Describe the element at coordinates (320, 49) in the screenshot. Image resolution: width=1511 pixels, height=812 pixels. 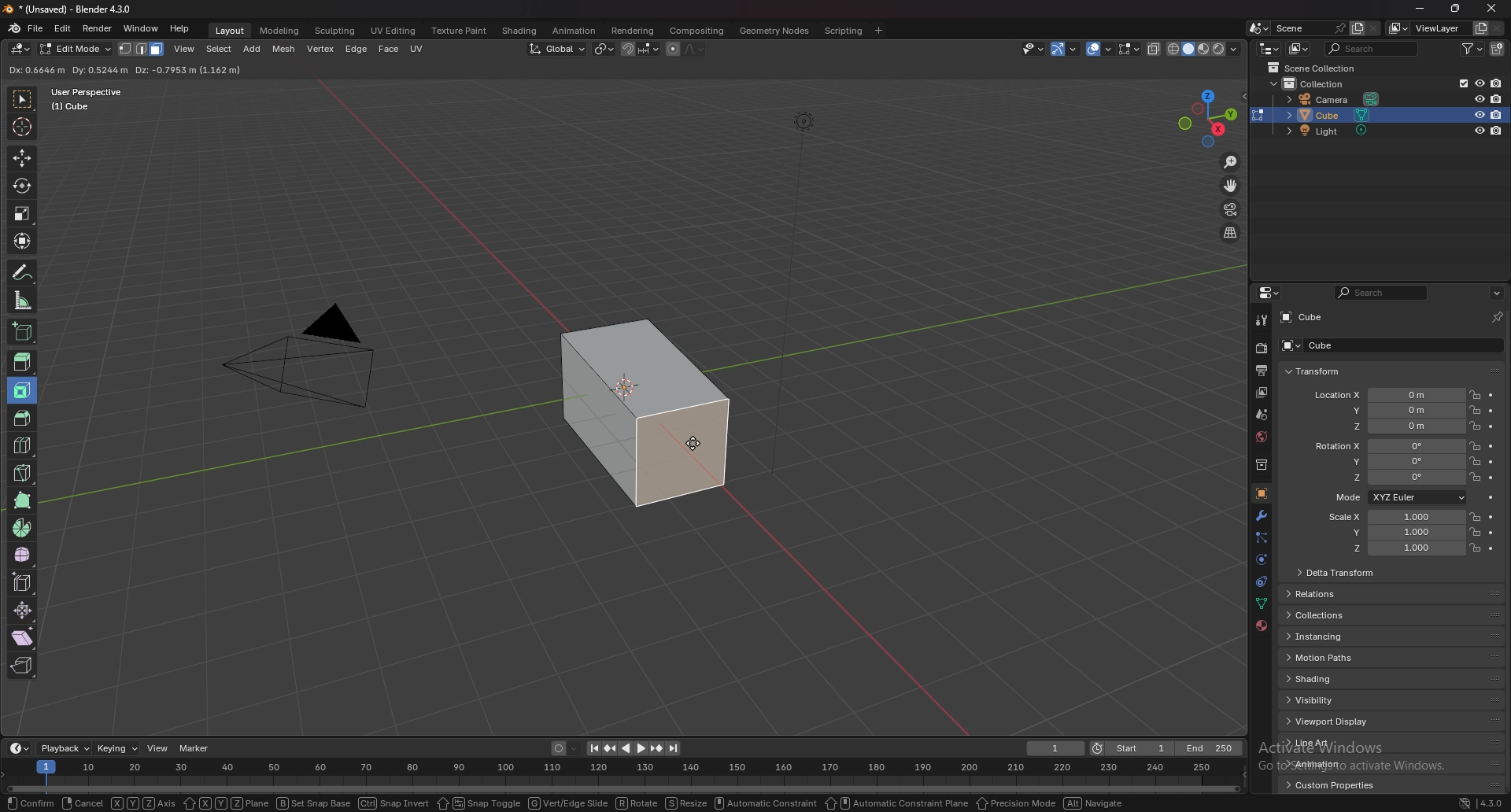
I see `vertex` at that location.